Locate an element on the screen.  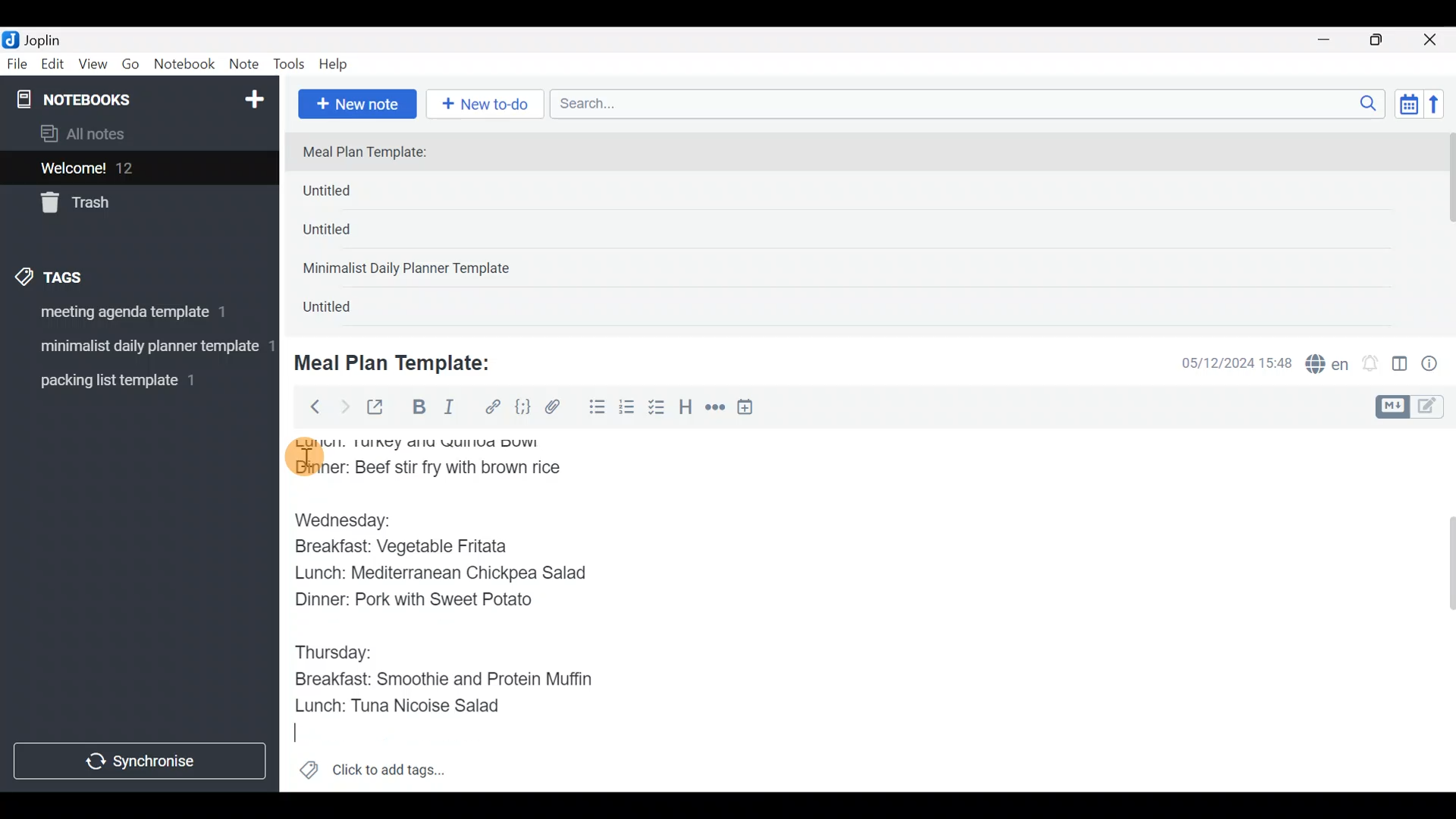
Insert time is located at coordinates (752, 409).